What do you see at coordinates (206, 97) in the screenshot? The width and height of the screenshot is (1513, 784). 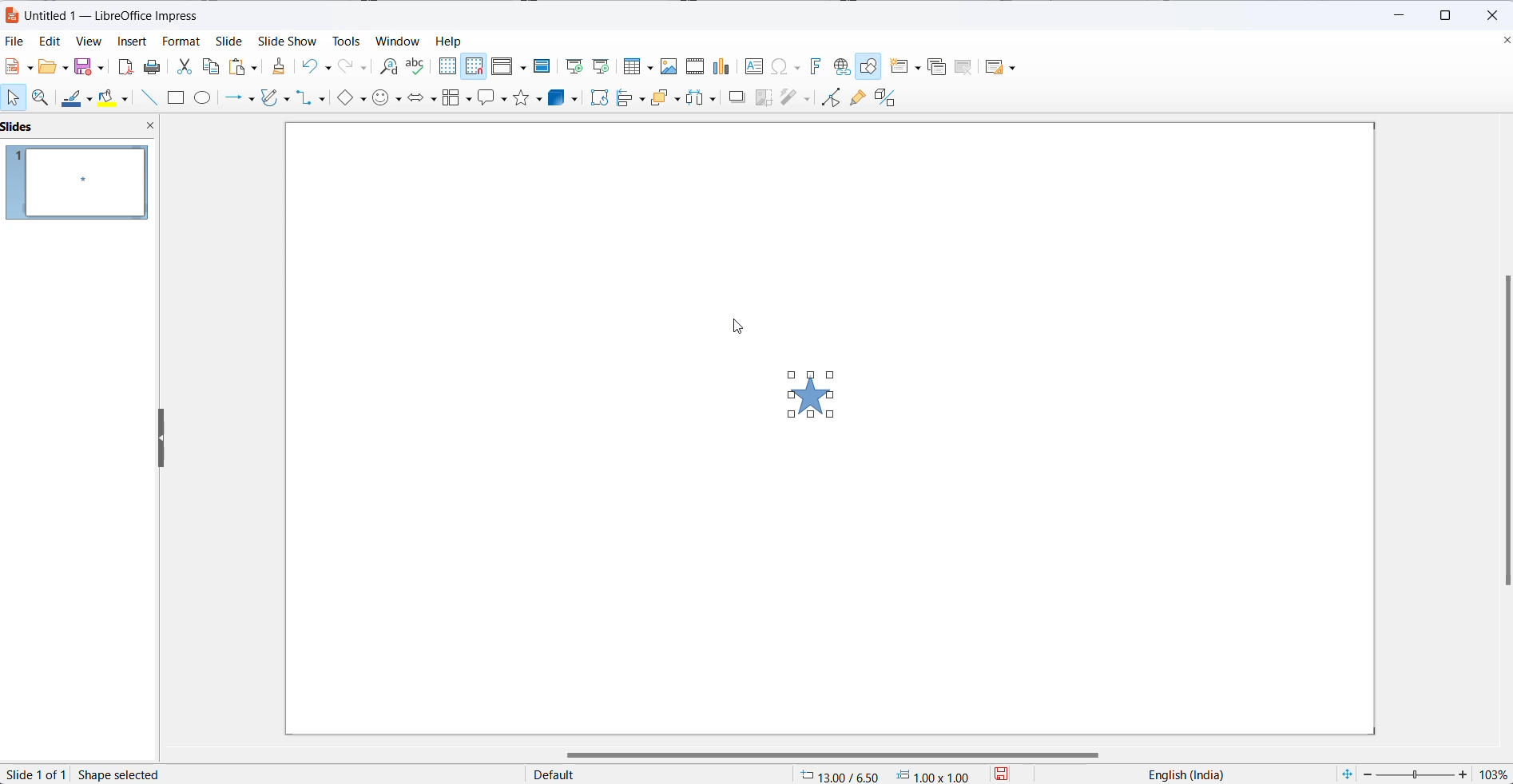 I see `ellipse` at bounding box center [206, 97].